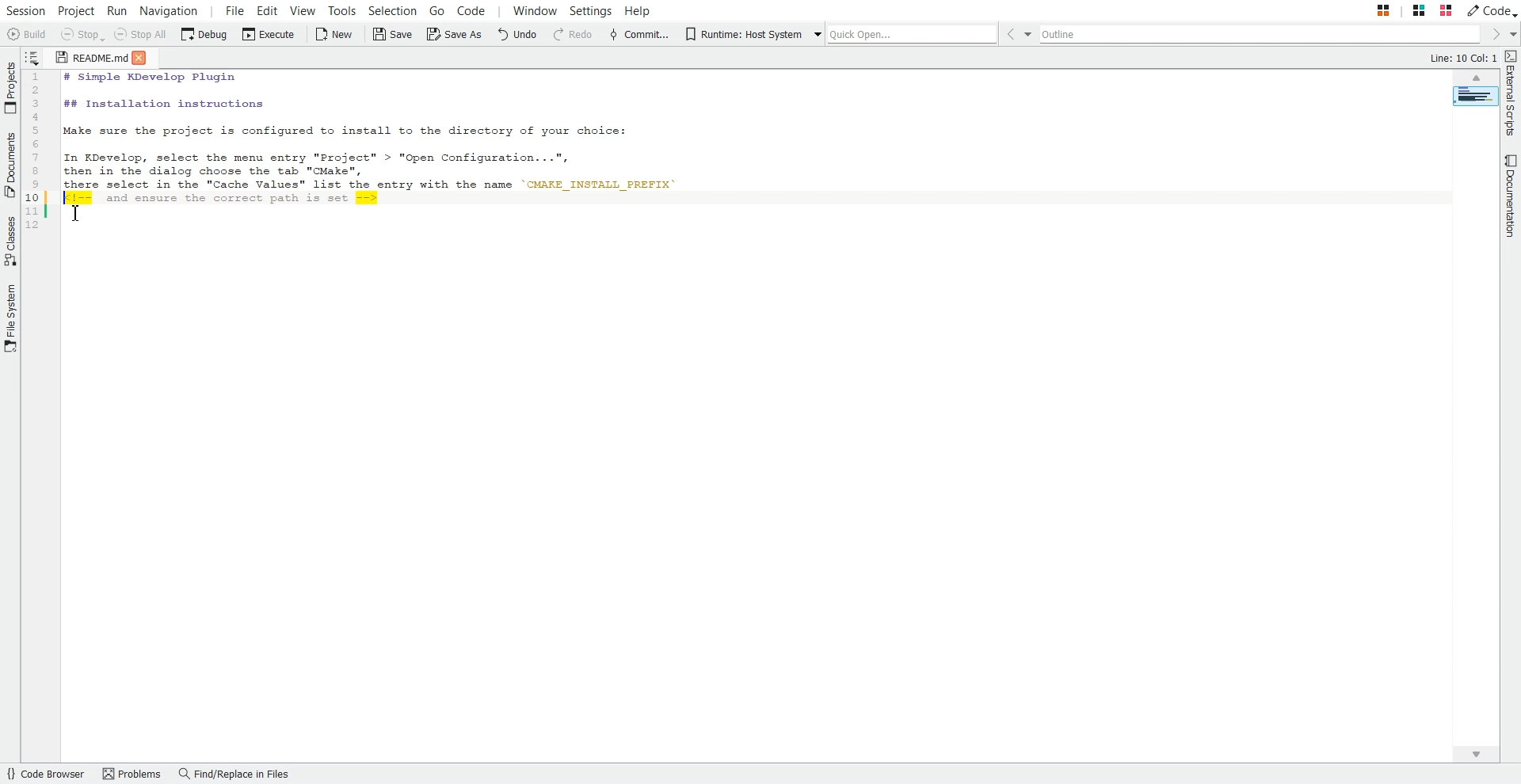 The width and height of the screenshot is (1521, 784). Describe the element at coordinates (574, 35) in the screenshot. I see `Redo` at that location.